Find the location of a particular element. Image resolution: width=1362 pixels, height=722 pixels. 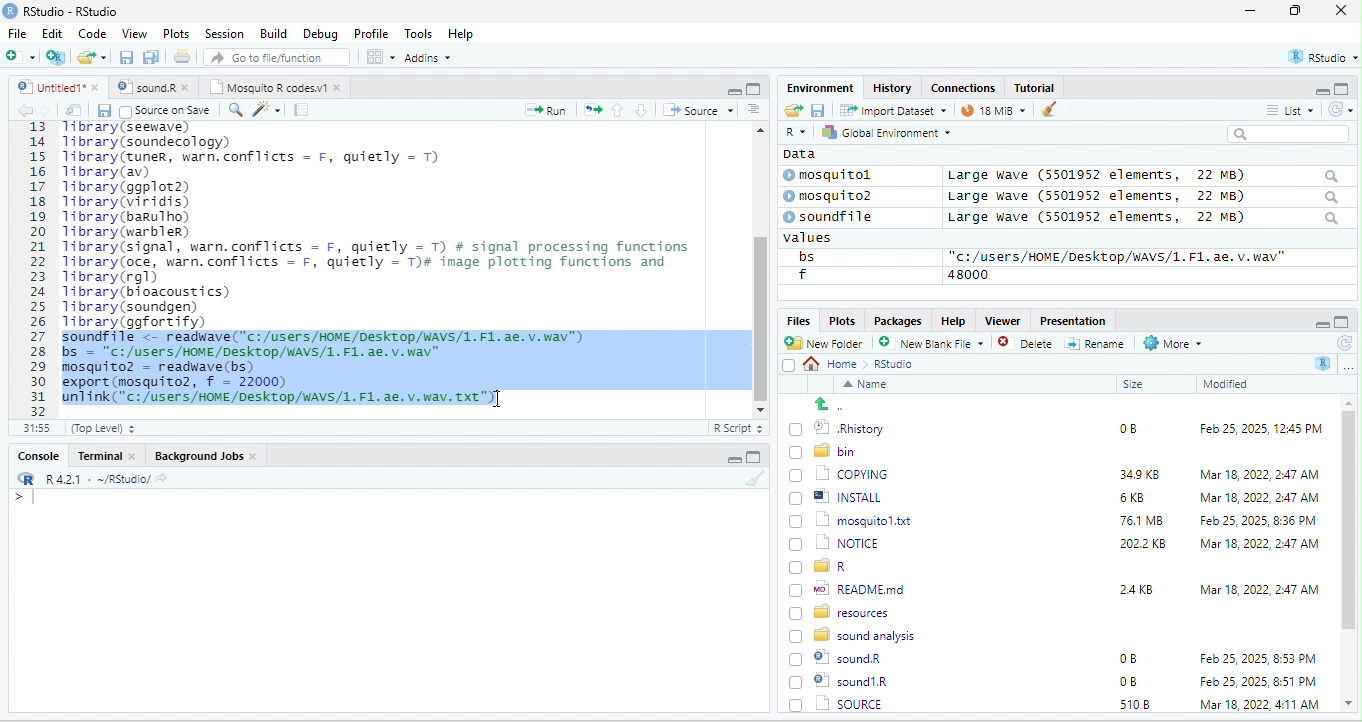

scroll bar is located at coordinates (1349, 554).